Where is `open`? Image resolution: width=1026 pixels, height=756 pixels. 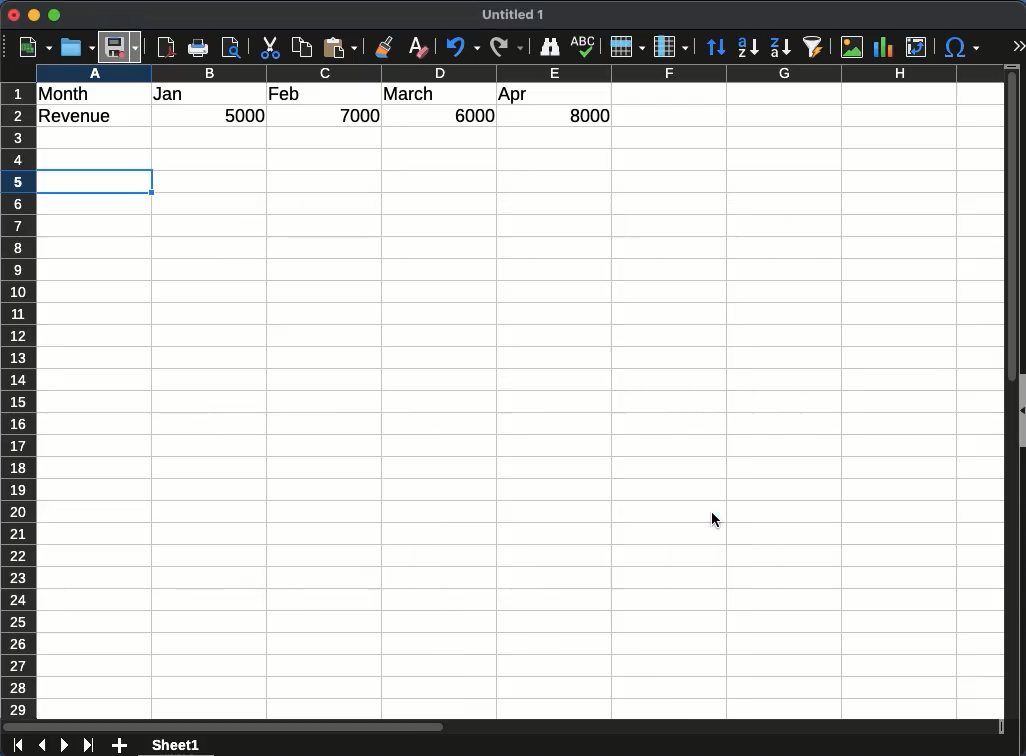
open is located at coordinates (76, 48).